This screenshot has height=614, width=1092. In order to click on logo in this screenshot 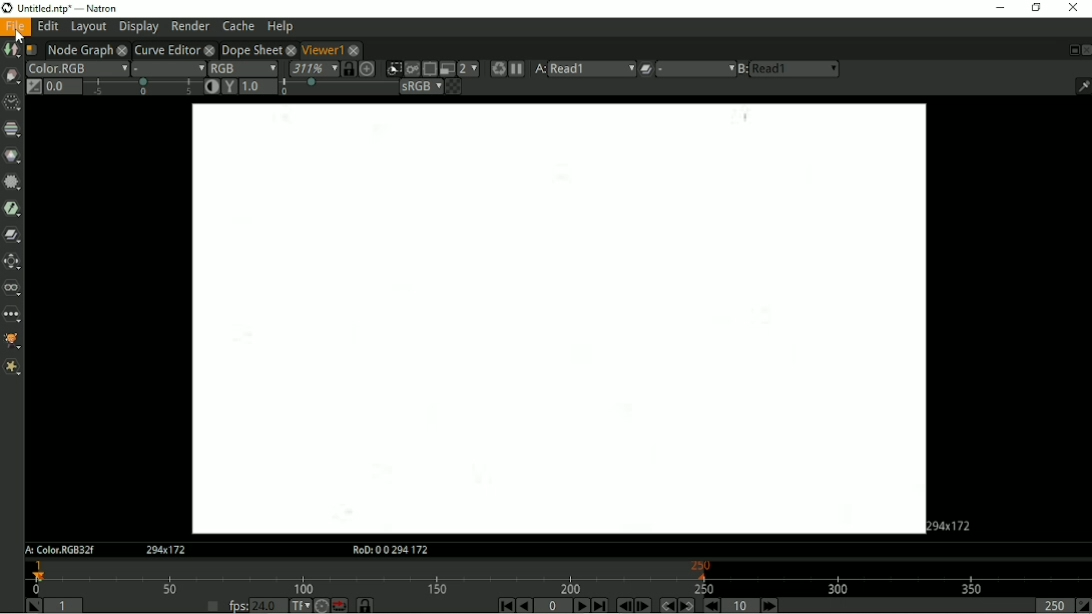, I will do `click(7, 8)`.